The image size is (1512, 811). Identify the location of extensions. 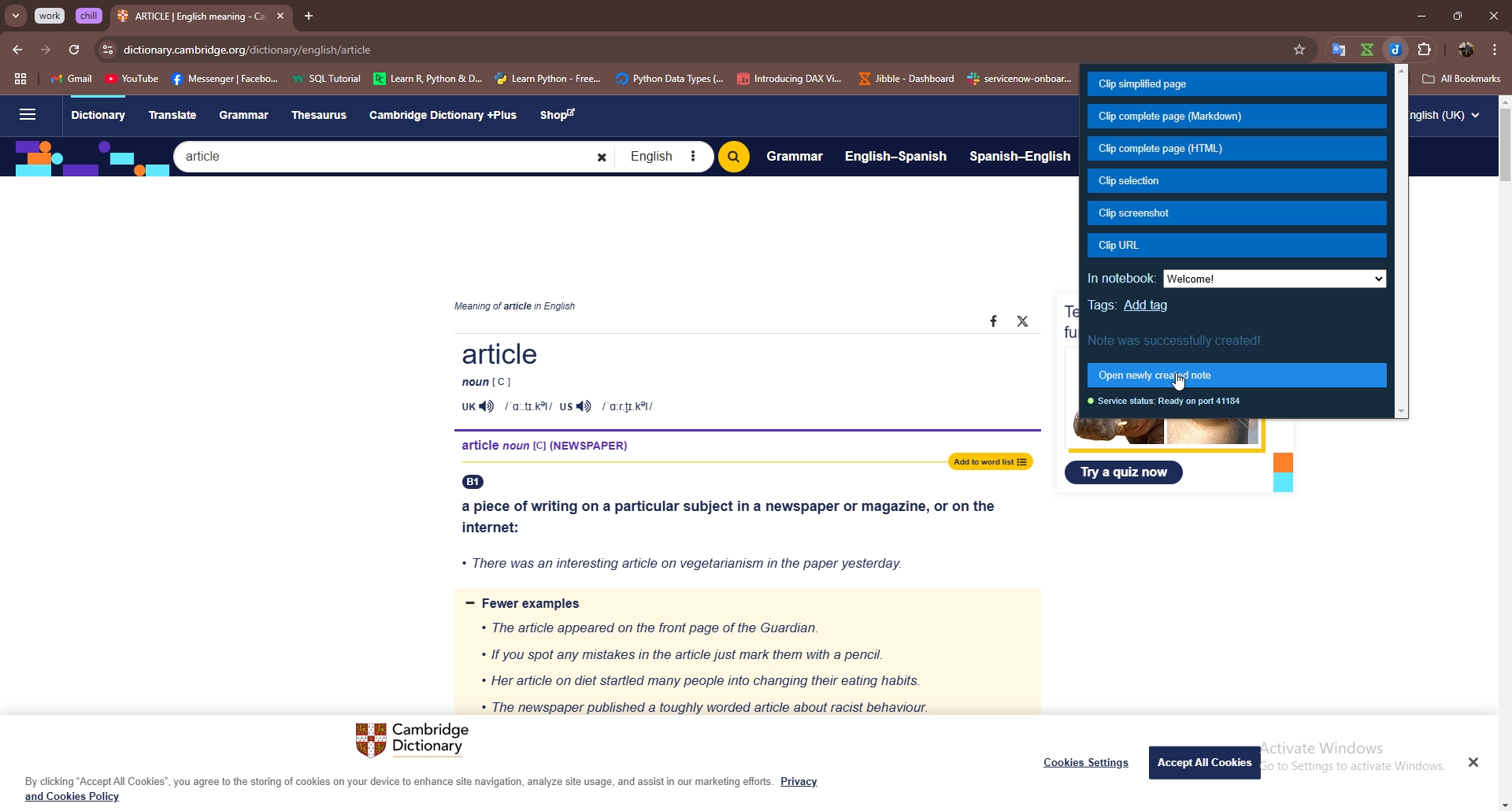
(1426, 49).